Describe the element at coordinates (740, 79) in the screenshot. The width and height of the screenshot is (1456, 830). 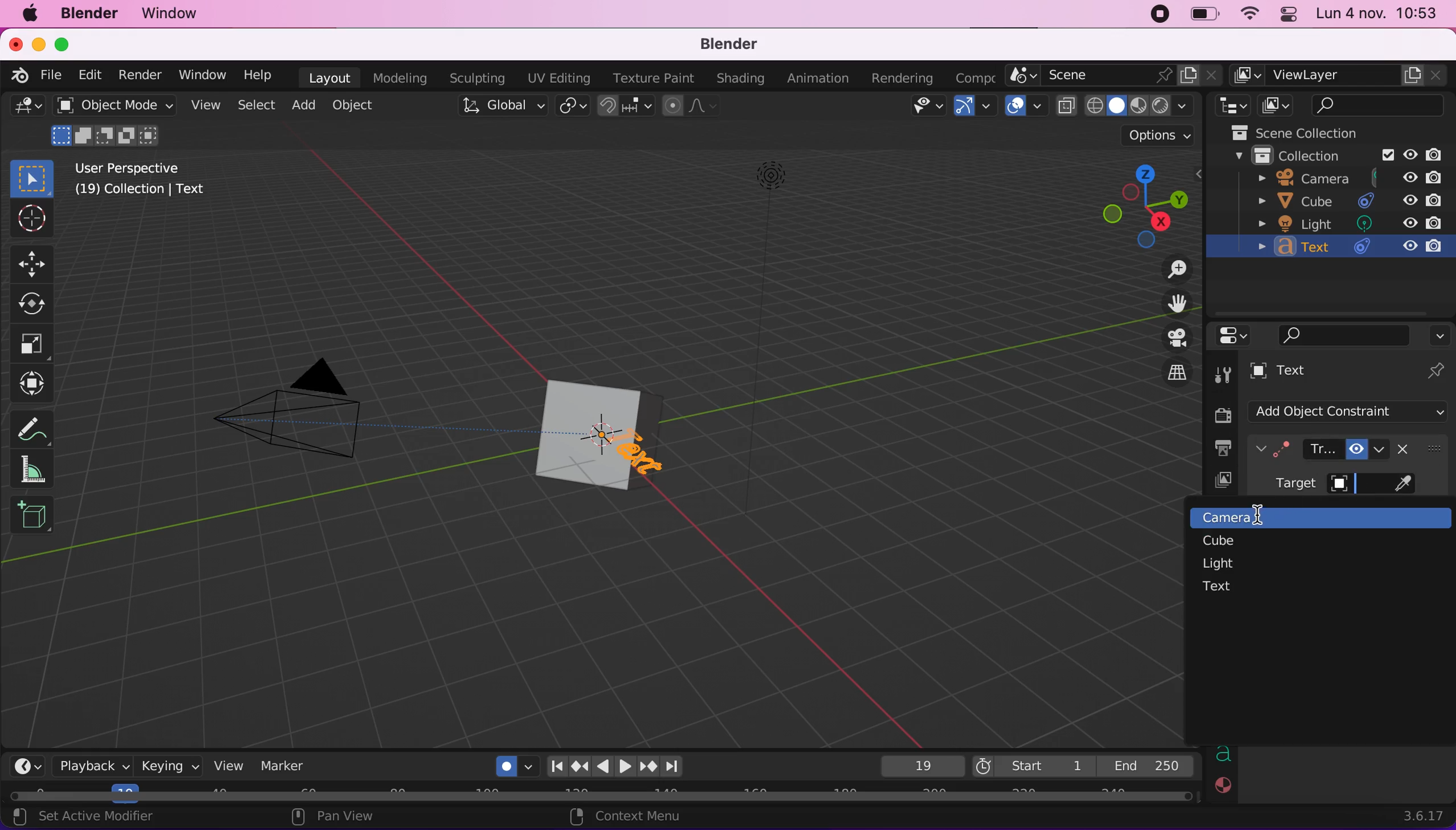
I see `shading` at that location.